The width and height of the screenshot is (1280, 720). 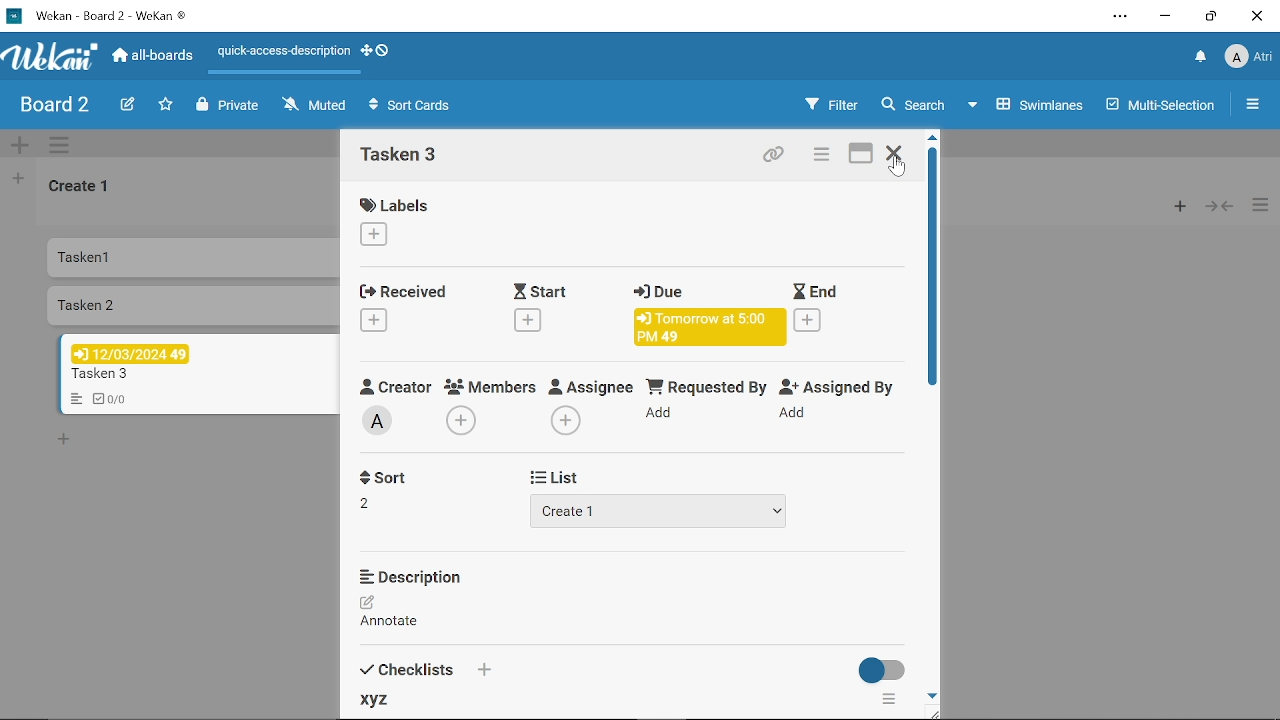 What do you see at coordinates (807, 320) in the screenshot?
I see `Add` at bounding box center [807, 320].